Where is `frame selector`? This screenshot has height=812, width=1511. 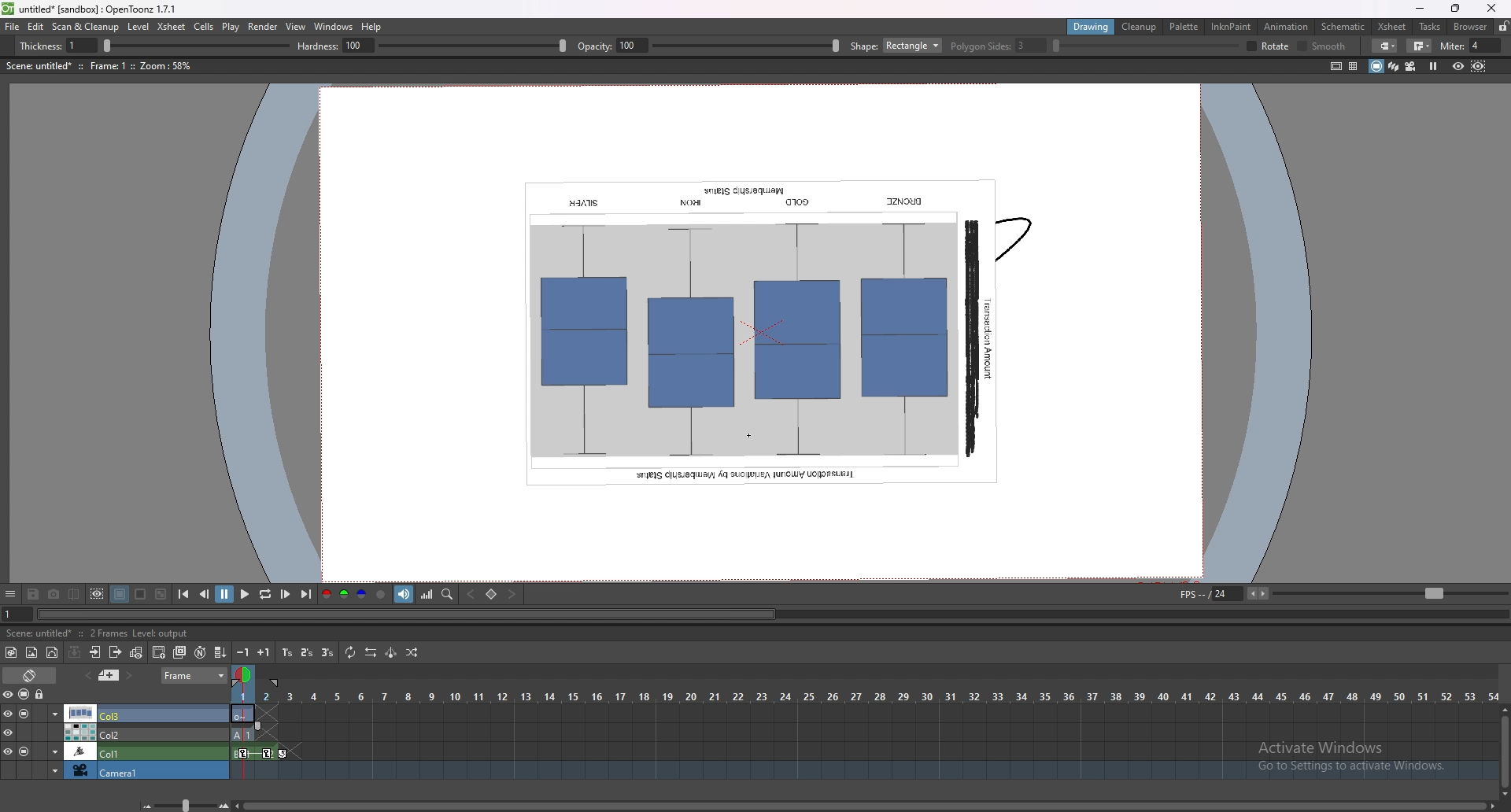 frame selector is located at coordinates (245, 674).